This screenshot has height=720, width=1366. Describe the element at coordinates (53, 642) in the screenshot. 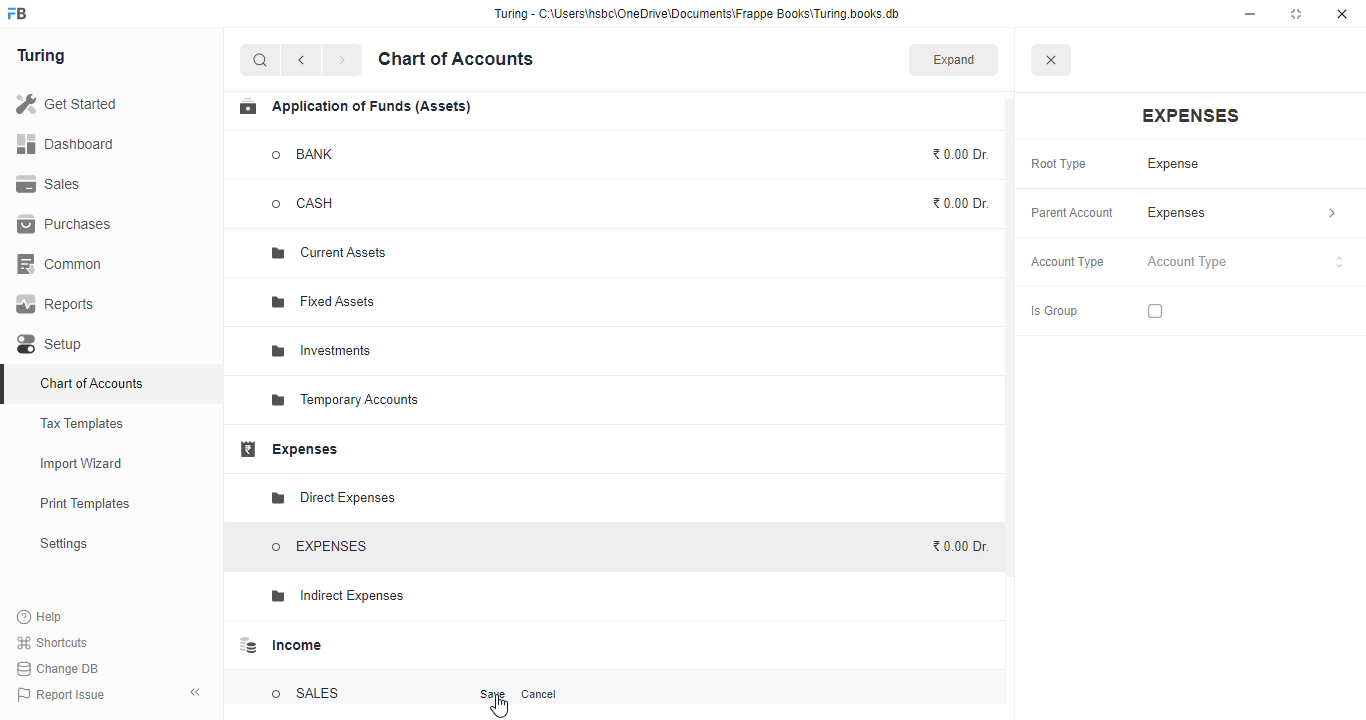

I see `shortcuts` at that location.